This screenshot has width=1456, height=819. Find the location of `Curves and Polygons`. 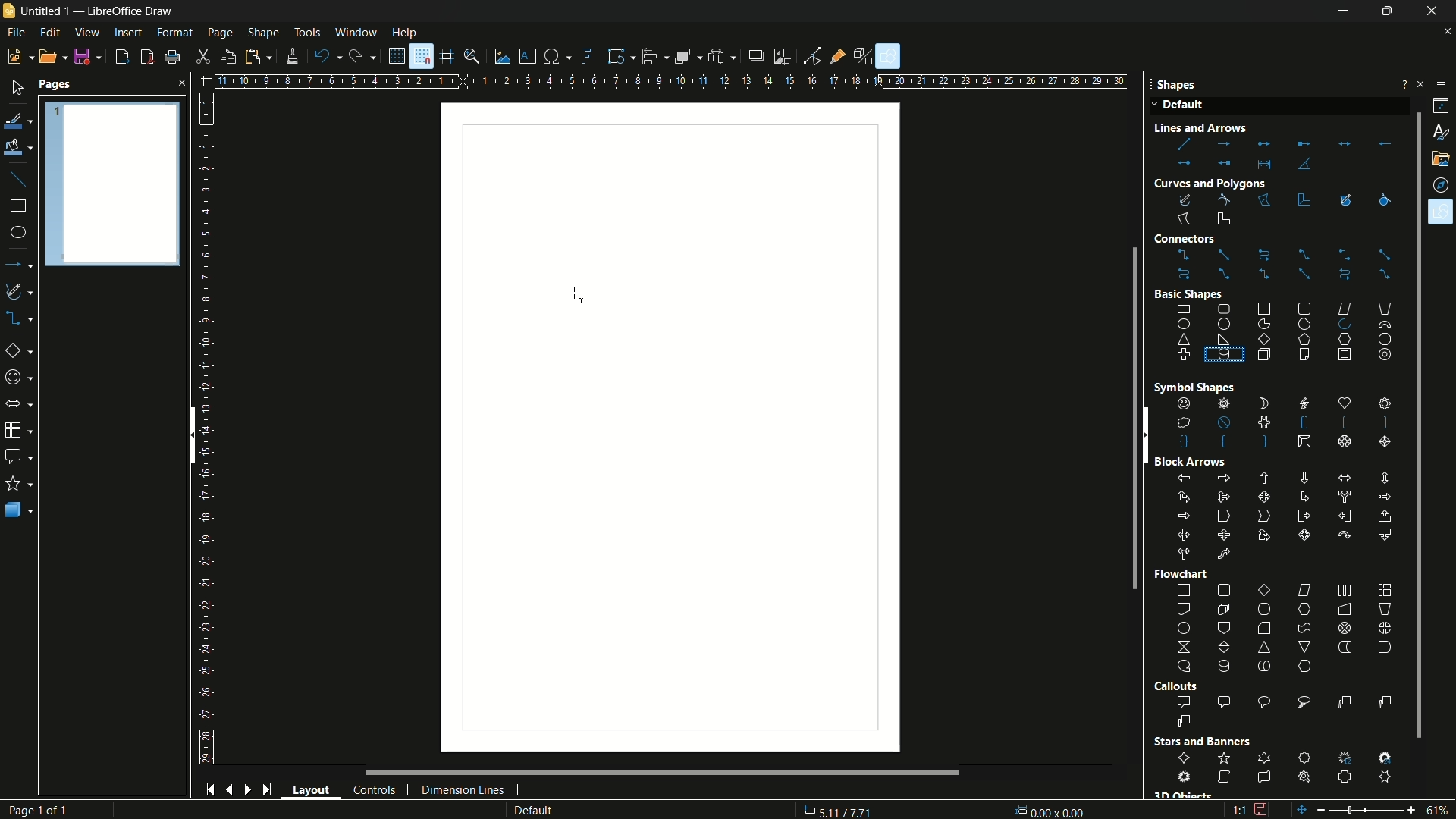

Curves and Polygons is located at coordinates (1210, 181).